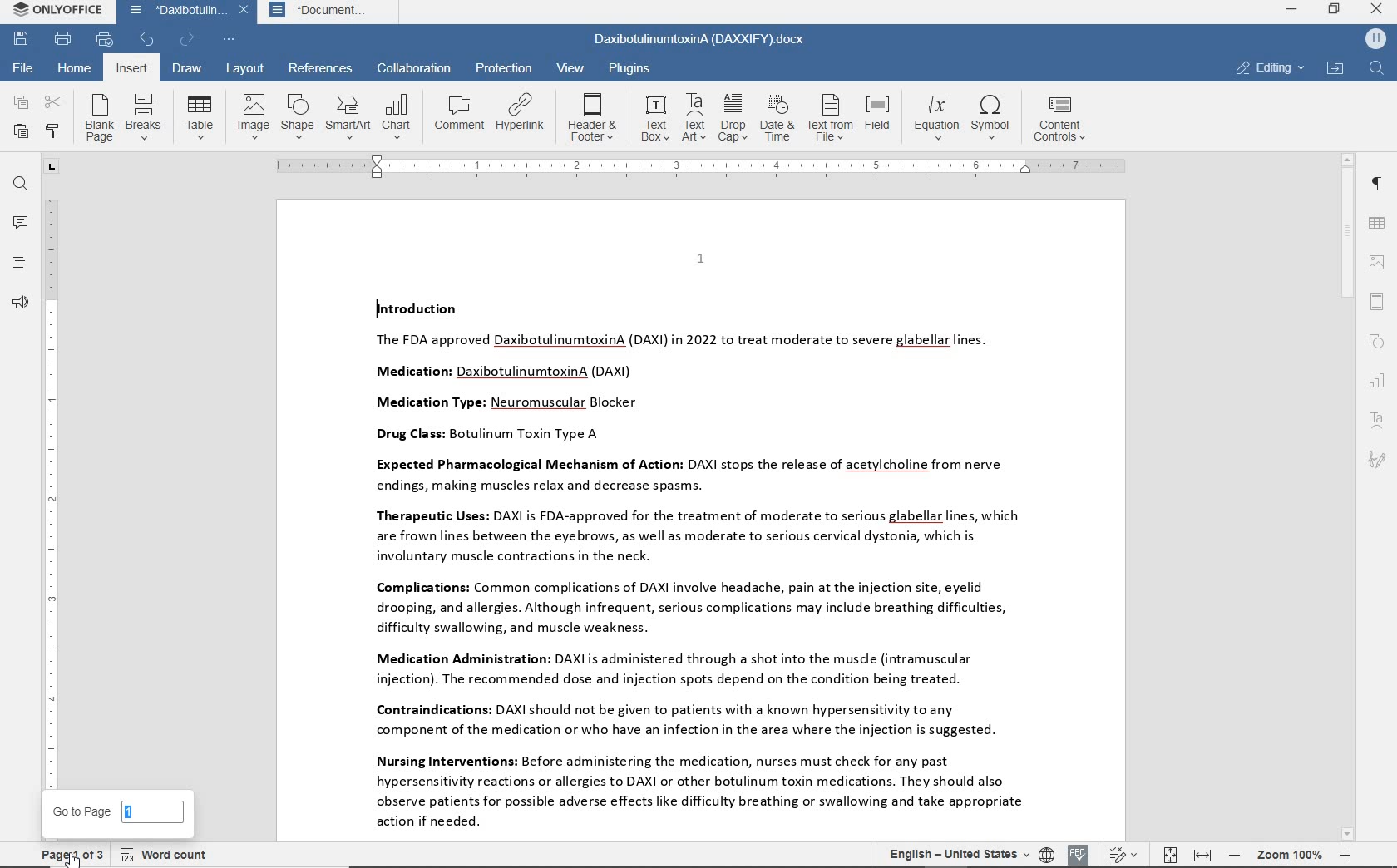 This screenshot has height=868, width=1397. I want to click on chart, so click(397, 116).